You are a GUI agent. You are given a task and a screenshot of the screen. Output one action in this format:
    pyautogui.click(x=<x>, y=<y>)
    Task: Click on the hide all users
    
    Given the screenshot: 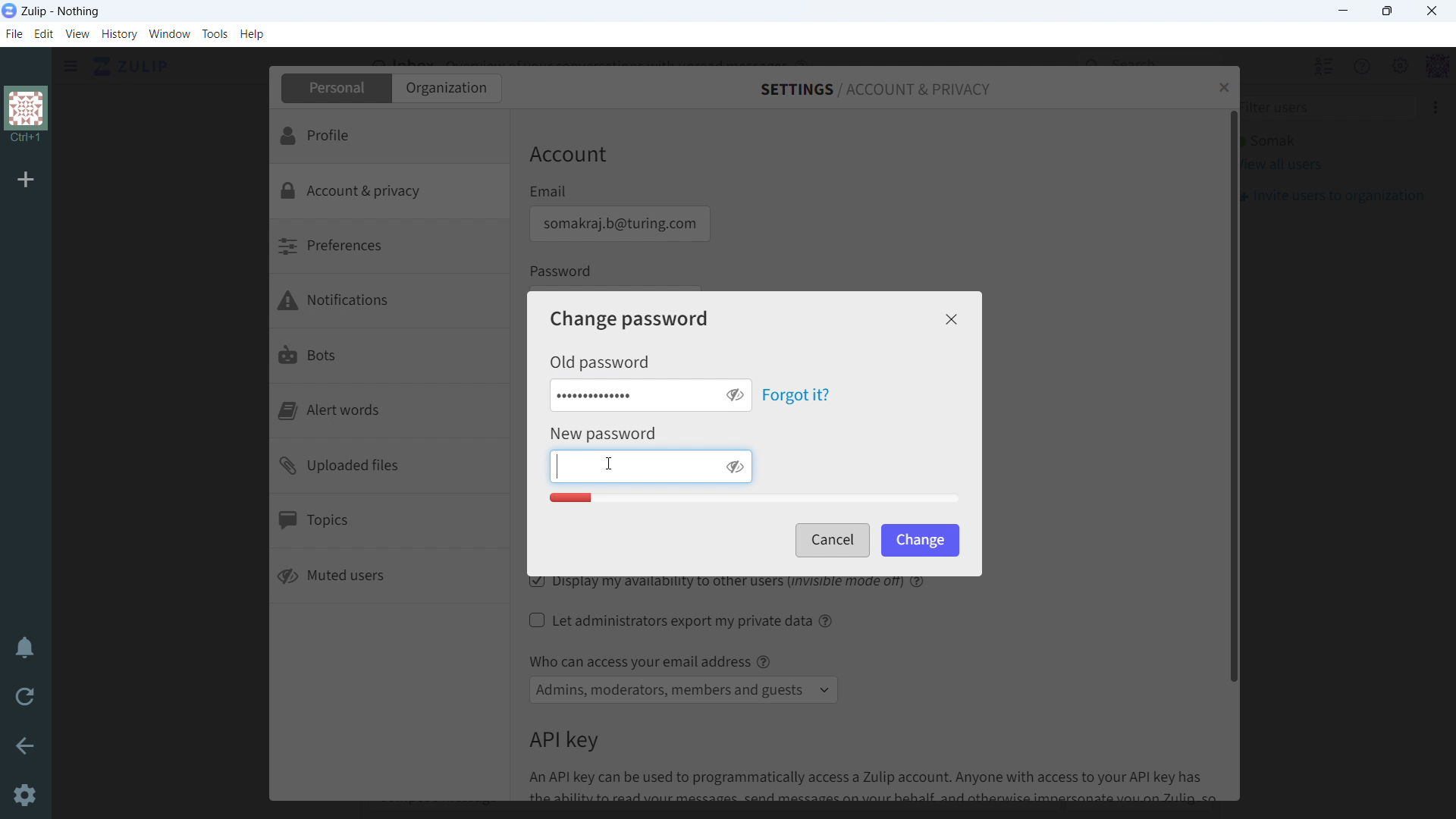 What is the action you would take?
    pyautogui.click(x=1322, y=65)
    